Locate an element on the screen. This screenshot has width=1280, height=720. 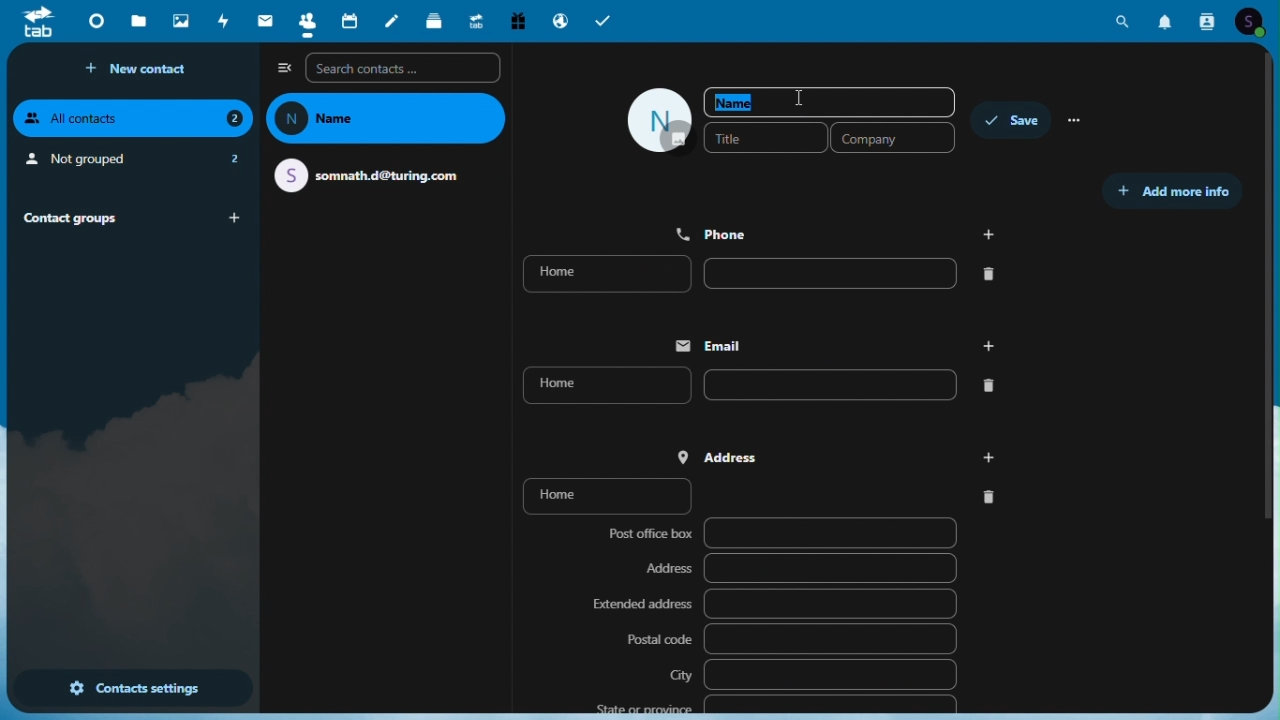
Tasks is located at coordinates (605, 20).